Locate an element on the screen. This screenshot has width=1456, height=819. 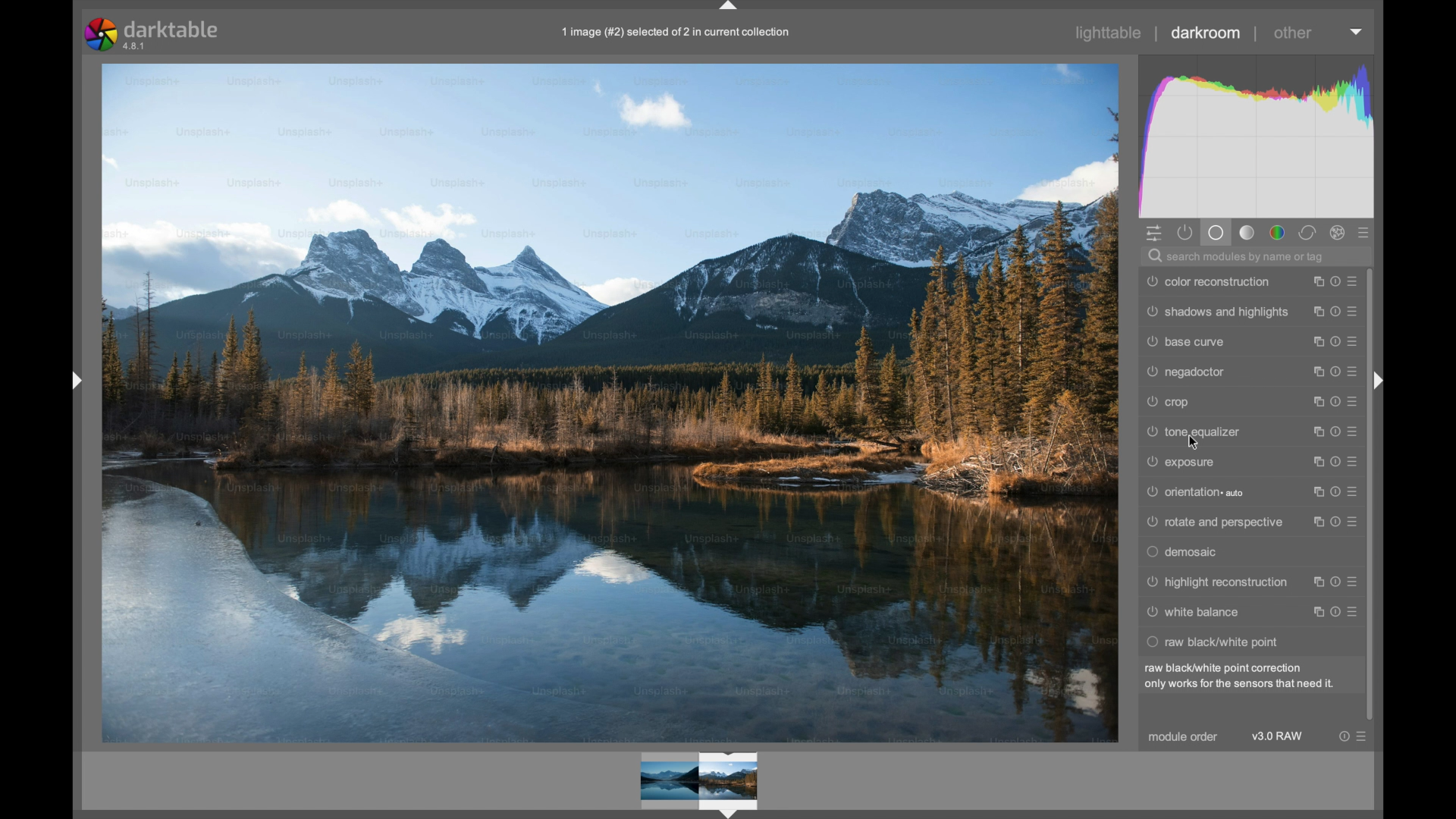
histogram is located at coordinates (1255, 134).